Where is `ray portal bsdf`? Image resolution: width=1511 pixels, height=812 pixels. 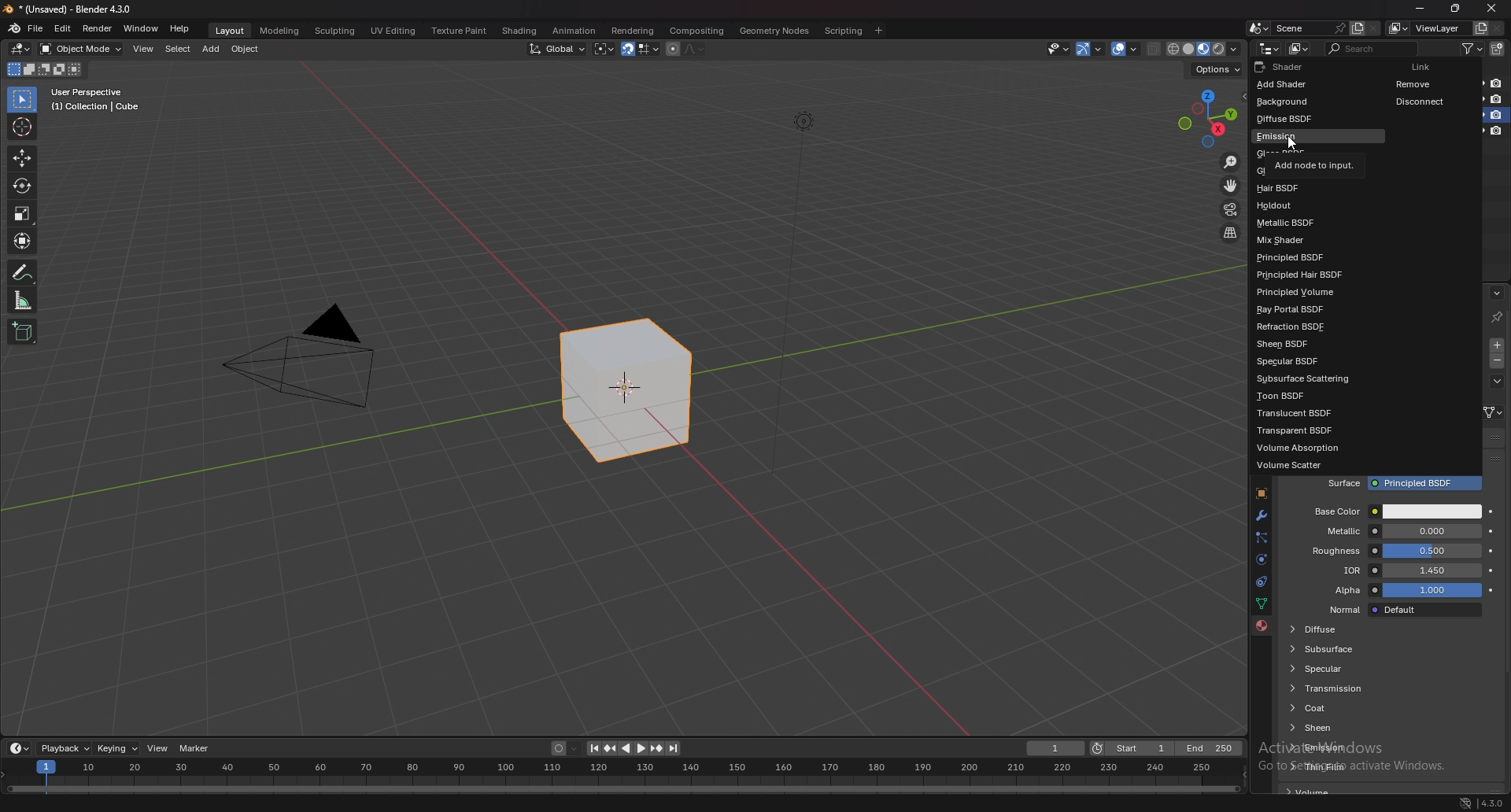
ray portal bsdf is located at coordinates (1313, 310).